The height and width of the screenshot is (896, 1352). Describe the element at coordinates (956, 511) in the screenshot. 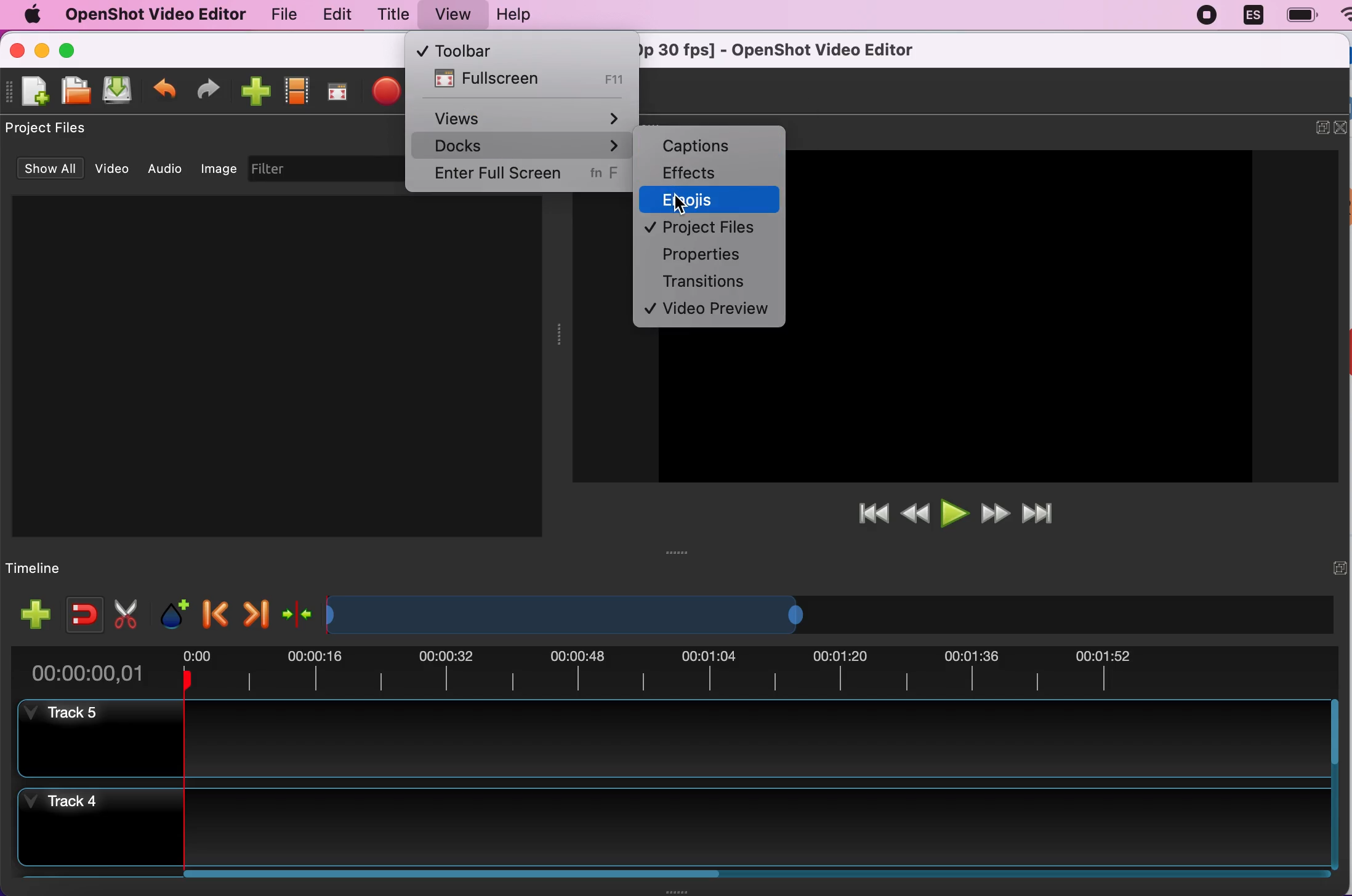

I see `play` at that location.